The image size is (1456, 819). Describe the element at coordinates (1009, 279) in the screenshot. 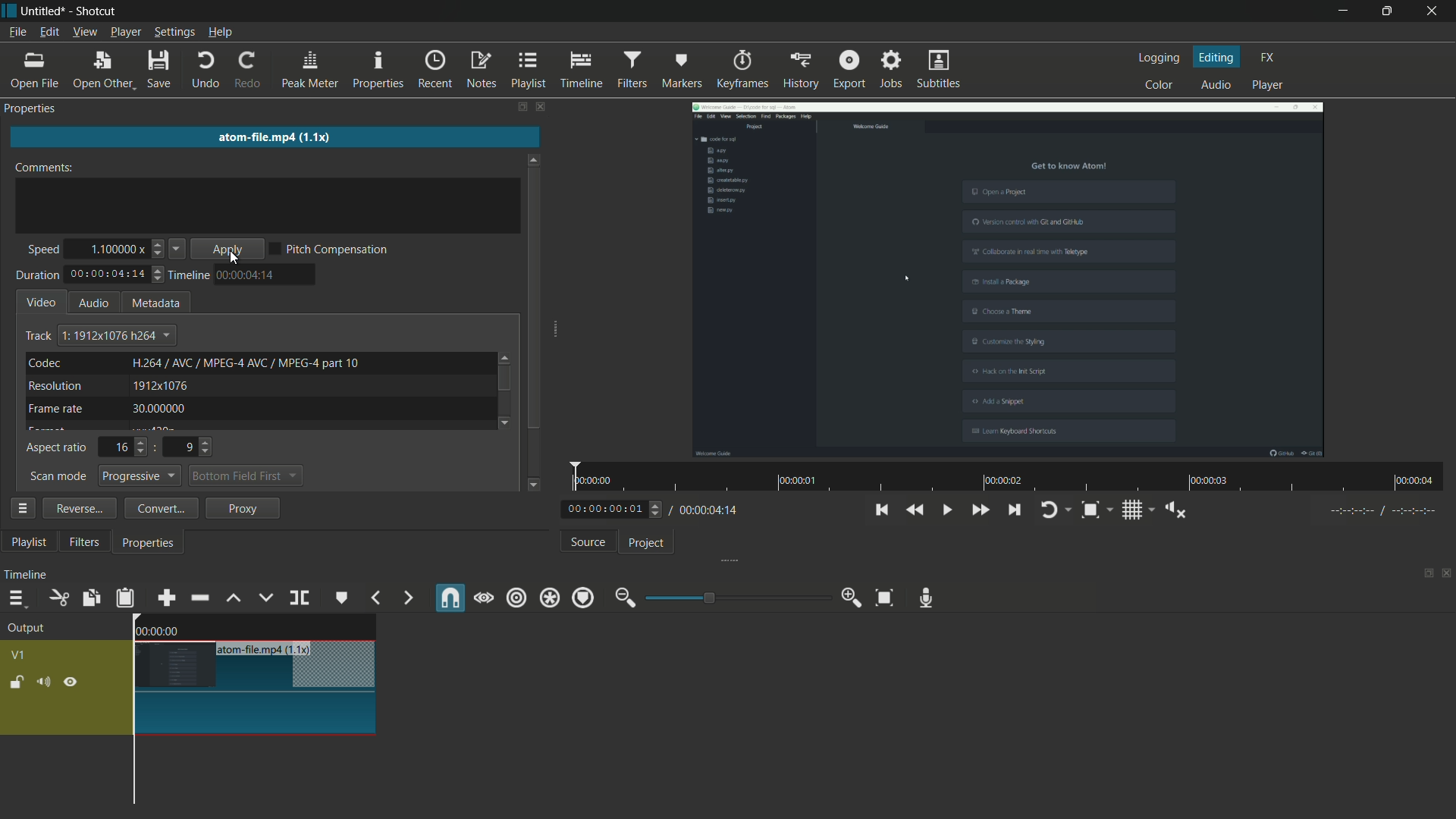

I see `imported file` at that location.